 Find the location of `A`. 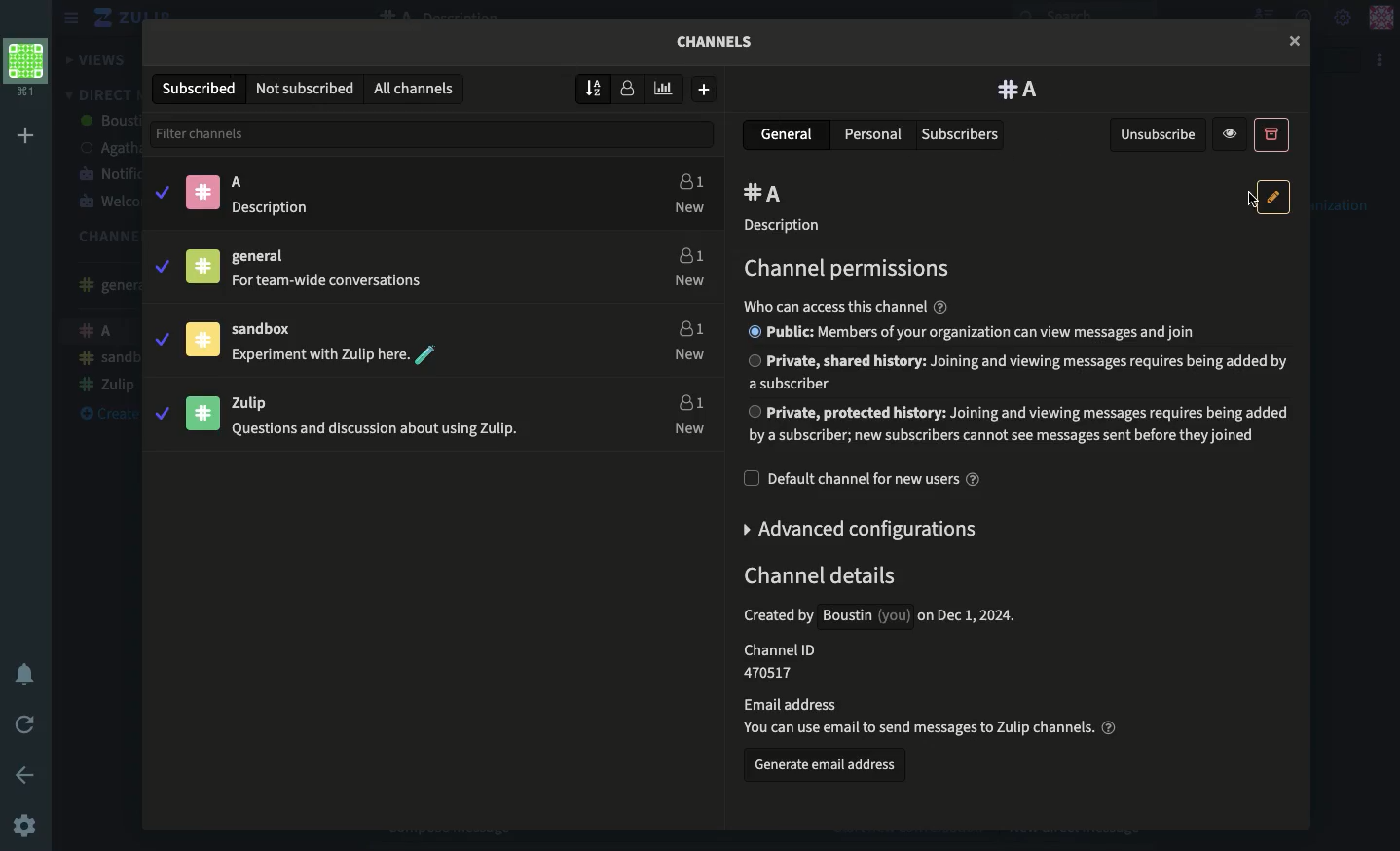

A is located at coordinates (767, 195).